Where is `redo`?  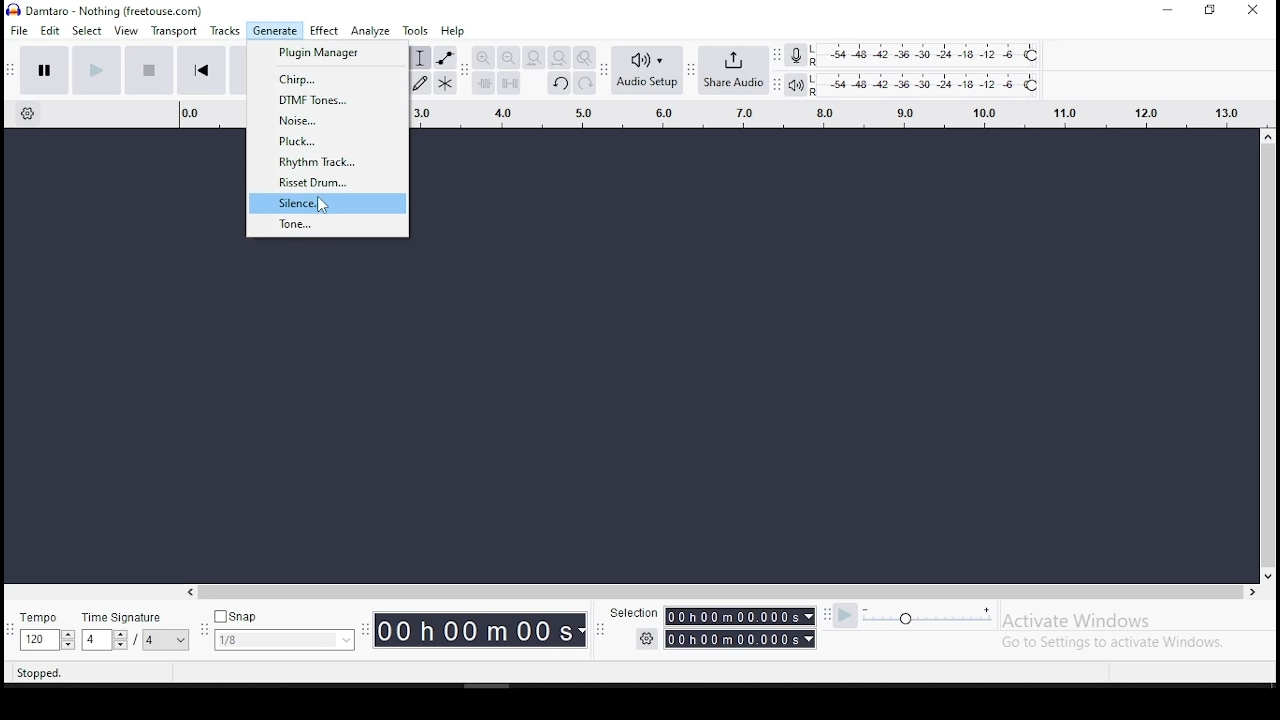 redo is located at coordinates (585, 83).